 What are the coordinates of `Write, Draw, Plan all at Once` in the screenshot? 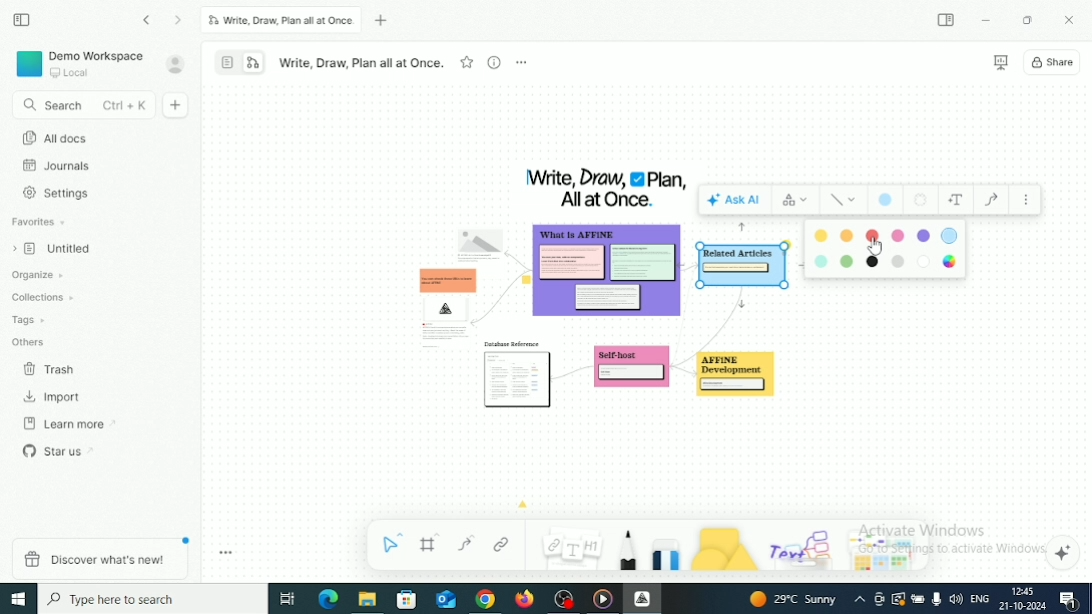 It's located at (361, 63).